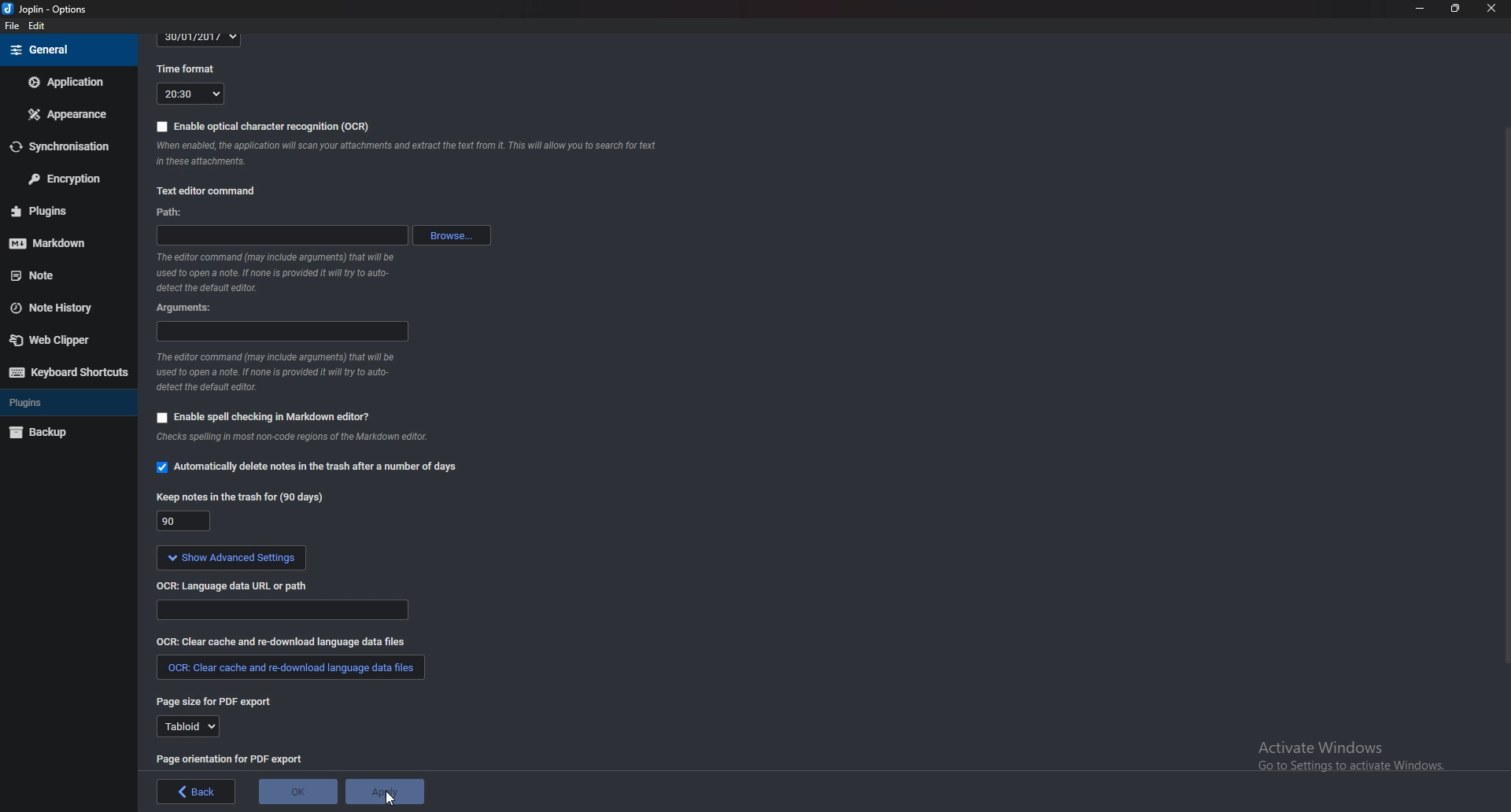  What do you see at coordinates (219, 703) in the screenshot?
I see `page size for pdf export` at bounding box center [219, 703].